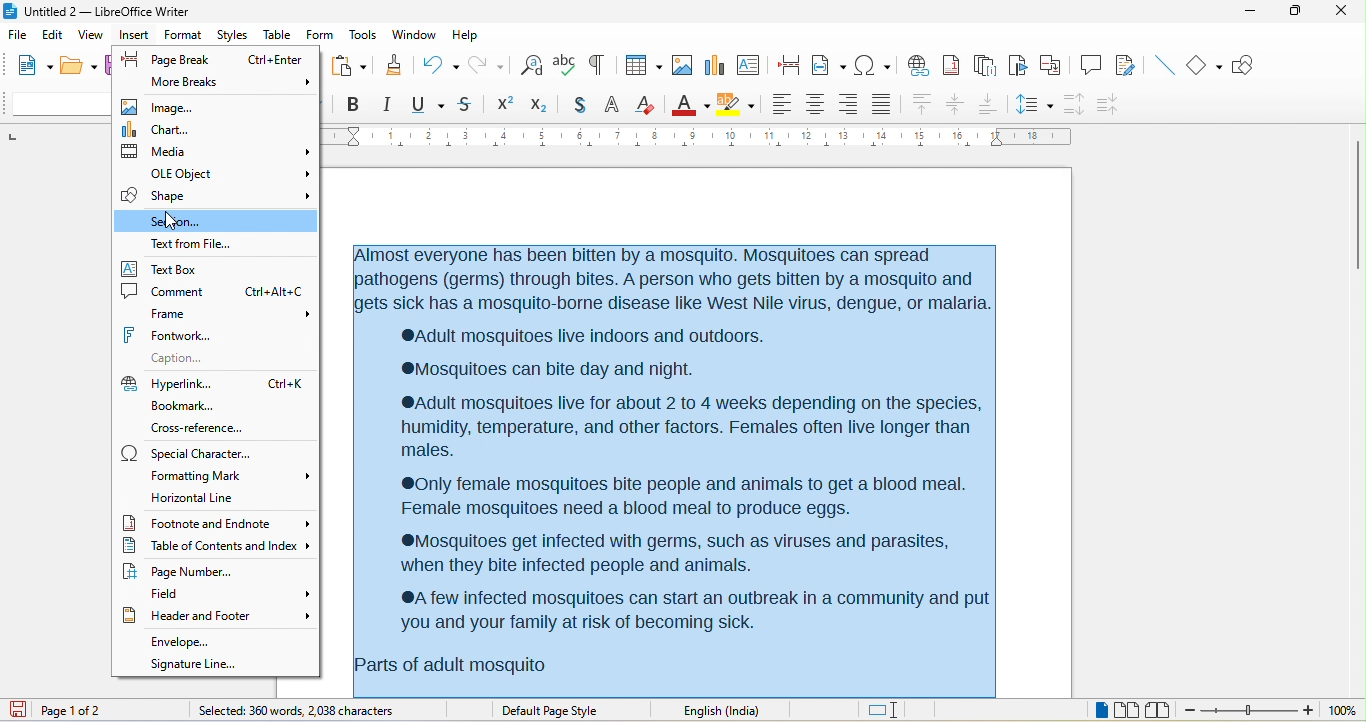  I want to click on envelope, so click(215, 643).